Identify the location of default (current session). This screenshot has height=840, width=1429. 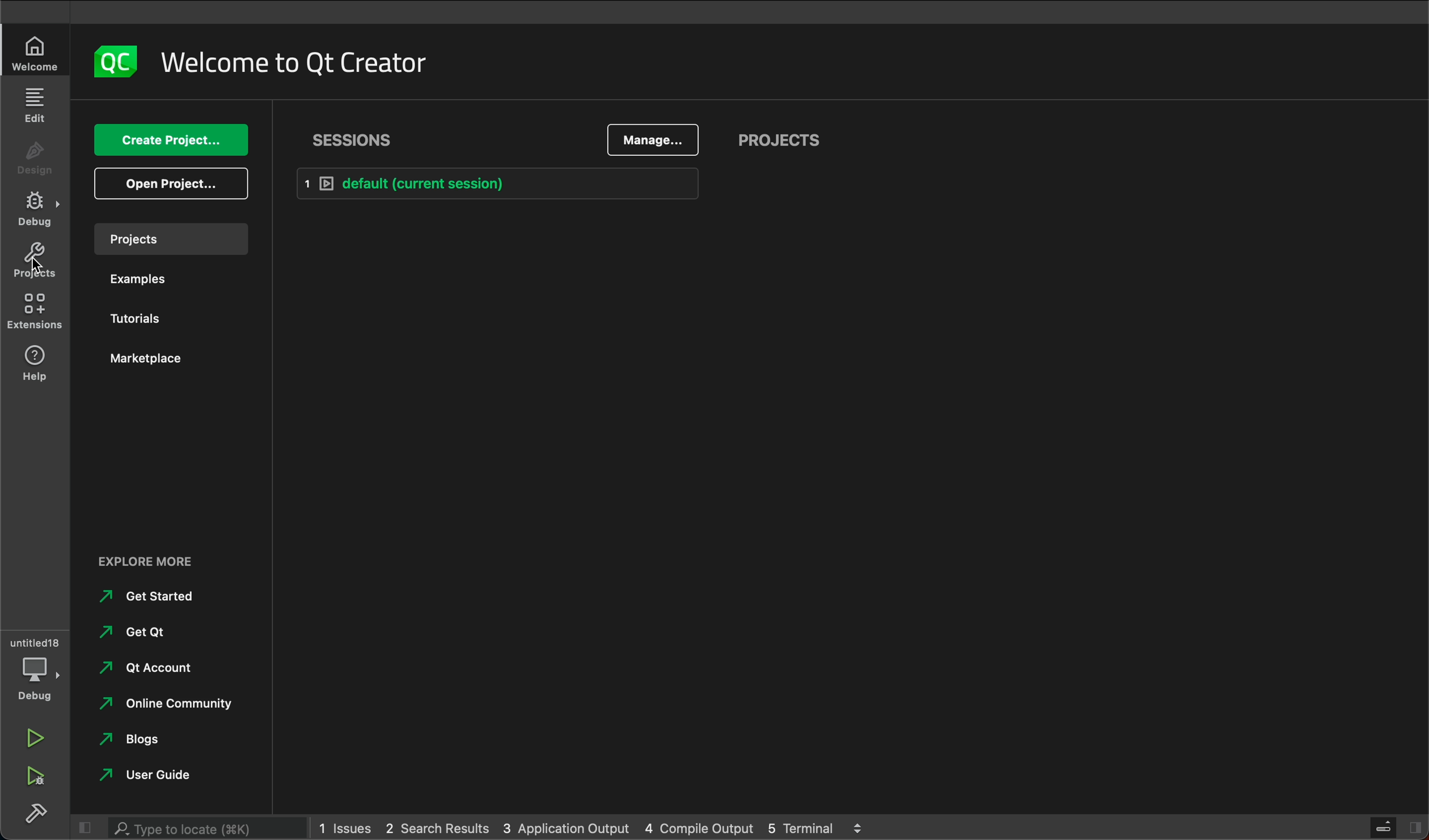
(534, 182).